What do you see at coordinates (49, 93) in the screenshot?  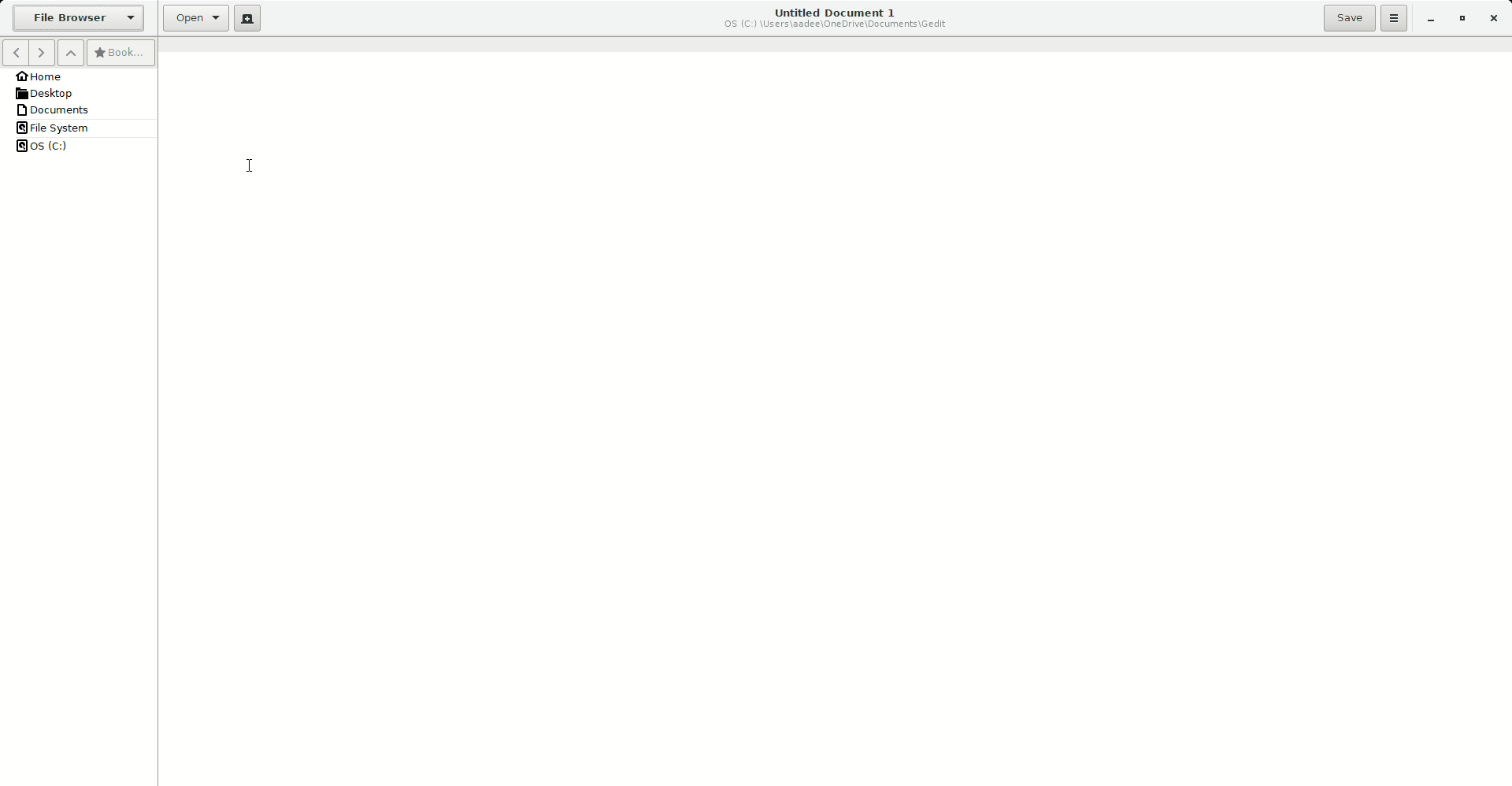 I see `Desktop` at bounding box center [49, 93].